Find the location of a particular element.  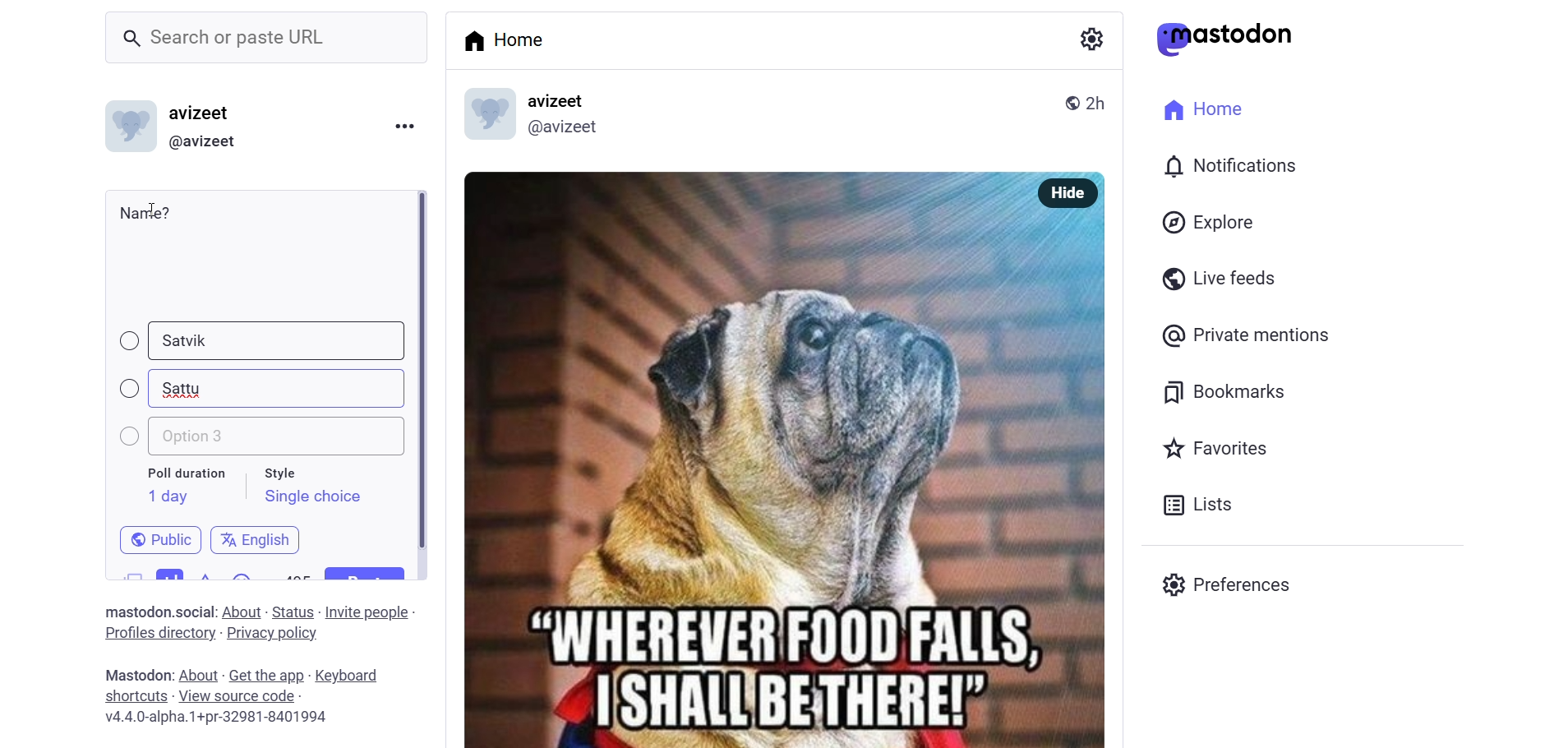

post image is located at coordinates (733, 451).